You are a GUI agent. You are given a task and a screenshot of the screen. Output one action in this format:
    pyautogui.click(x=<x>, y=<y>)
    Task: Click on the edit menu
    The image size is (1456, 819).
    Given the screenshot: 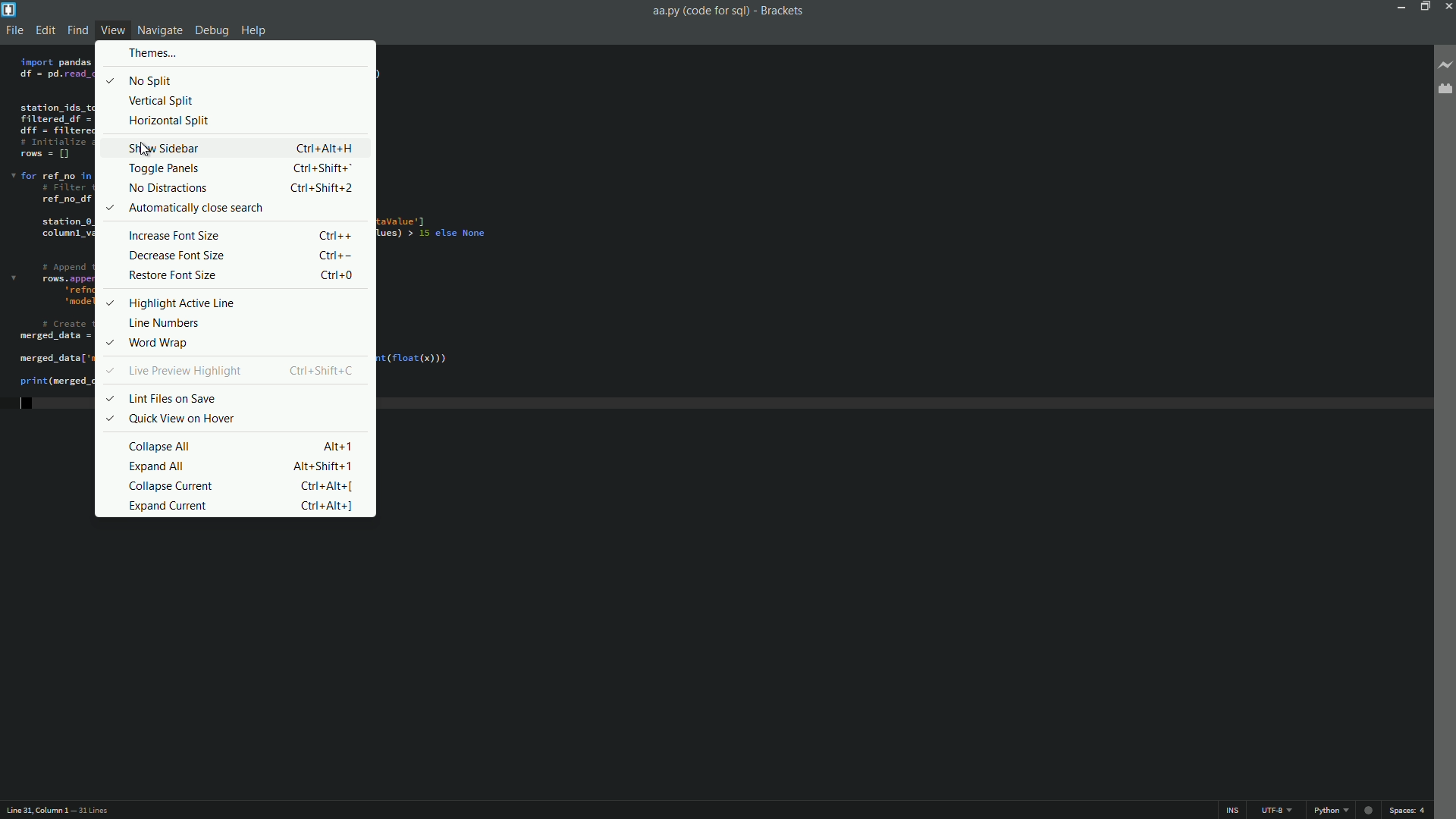 What is the action you would take?
    pyautogui.click(x=44, y=28)
    